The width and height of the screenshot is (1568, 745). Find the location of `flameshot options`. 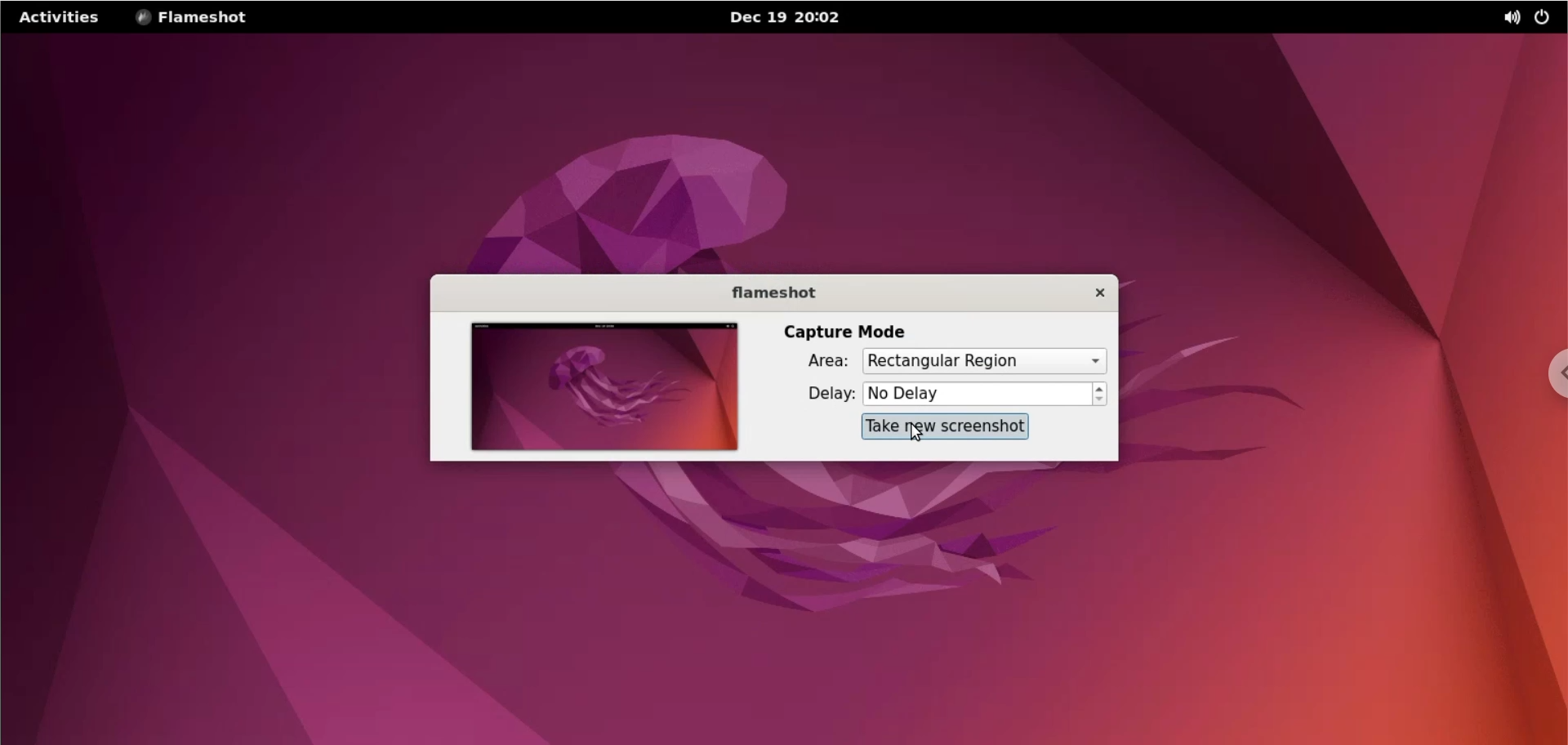

flameshot options is located at coordinates (203, 18).